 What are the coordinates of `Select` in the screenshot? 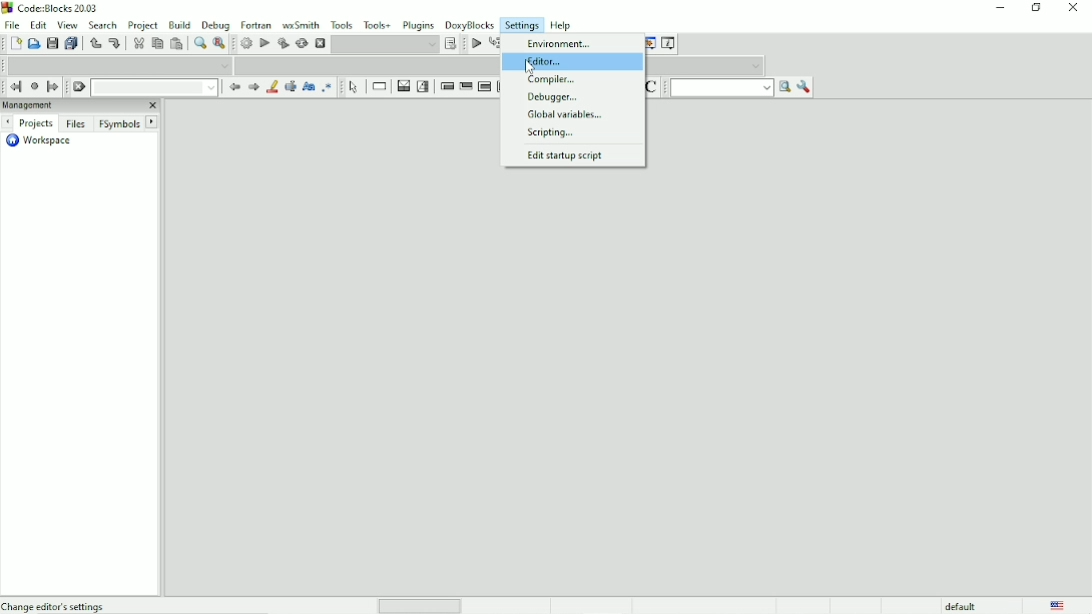 It's located at (355, 88).